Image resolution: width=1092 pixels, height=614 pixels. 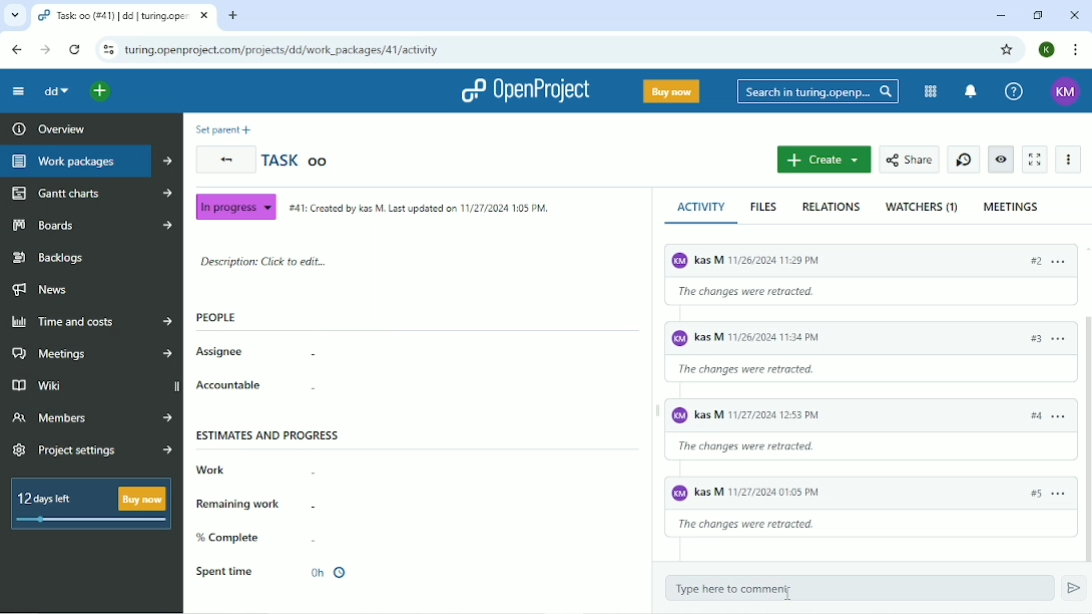 I want to click on The changes were retracted, so click(x=751, y=370).